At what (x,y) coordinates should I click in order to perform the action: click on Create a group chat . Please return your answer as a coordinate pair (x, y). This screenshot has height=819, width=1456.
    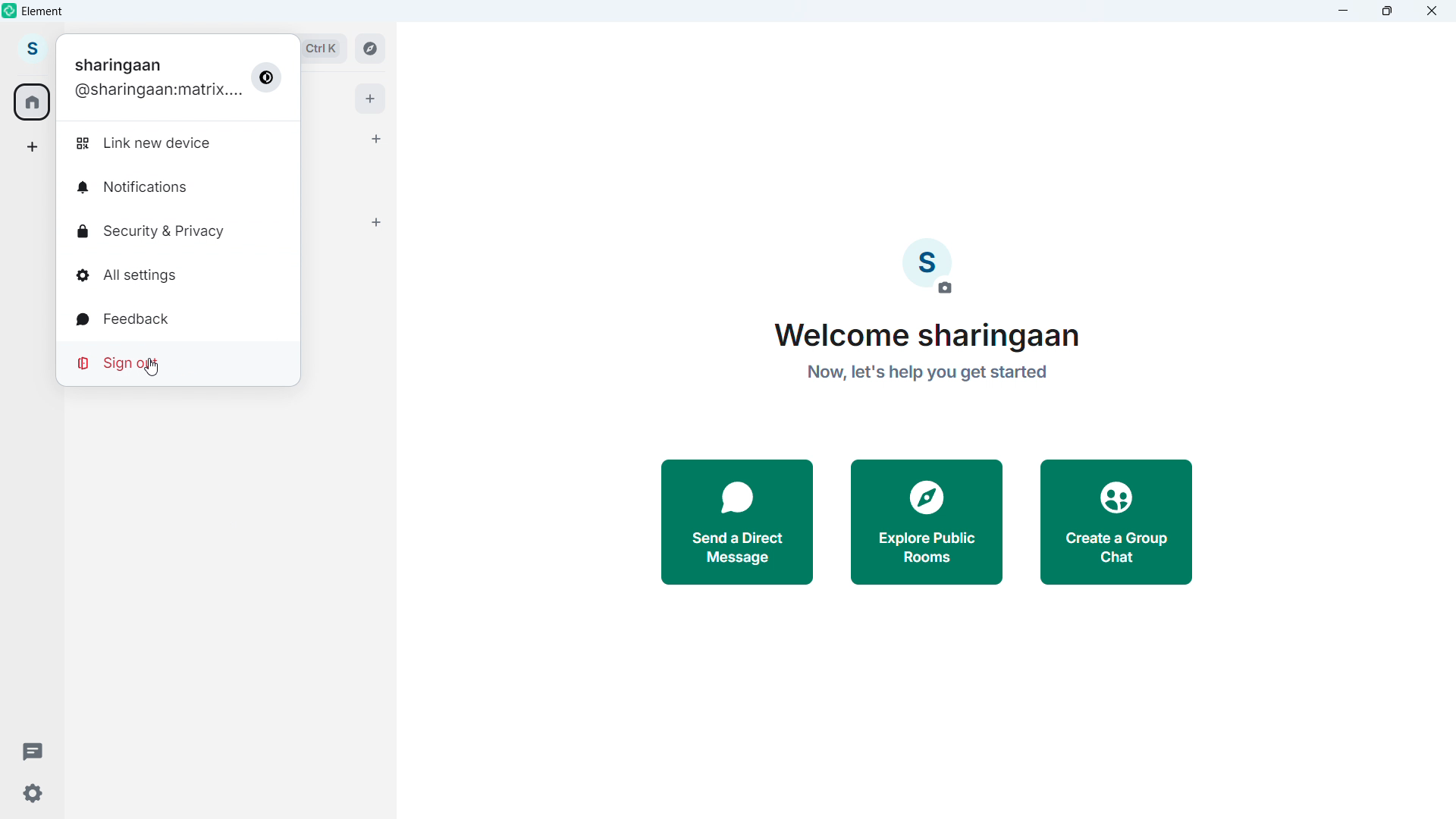
    Looking at the image, I should click on (1119, 523).